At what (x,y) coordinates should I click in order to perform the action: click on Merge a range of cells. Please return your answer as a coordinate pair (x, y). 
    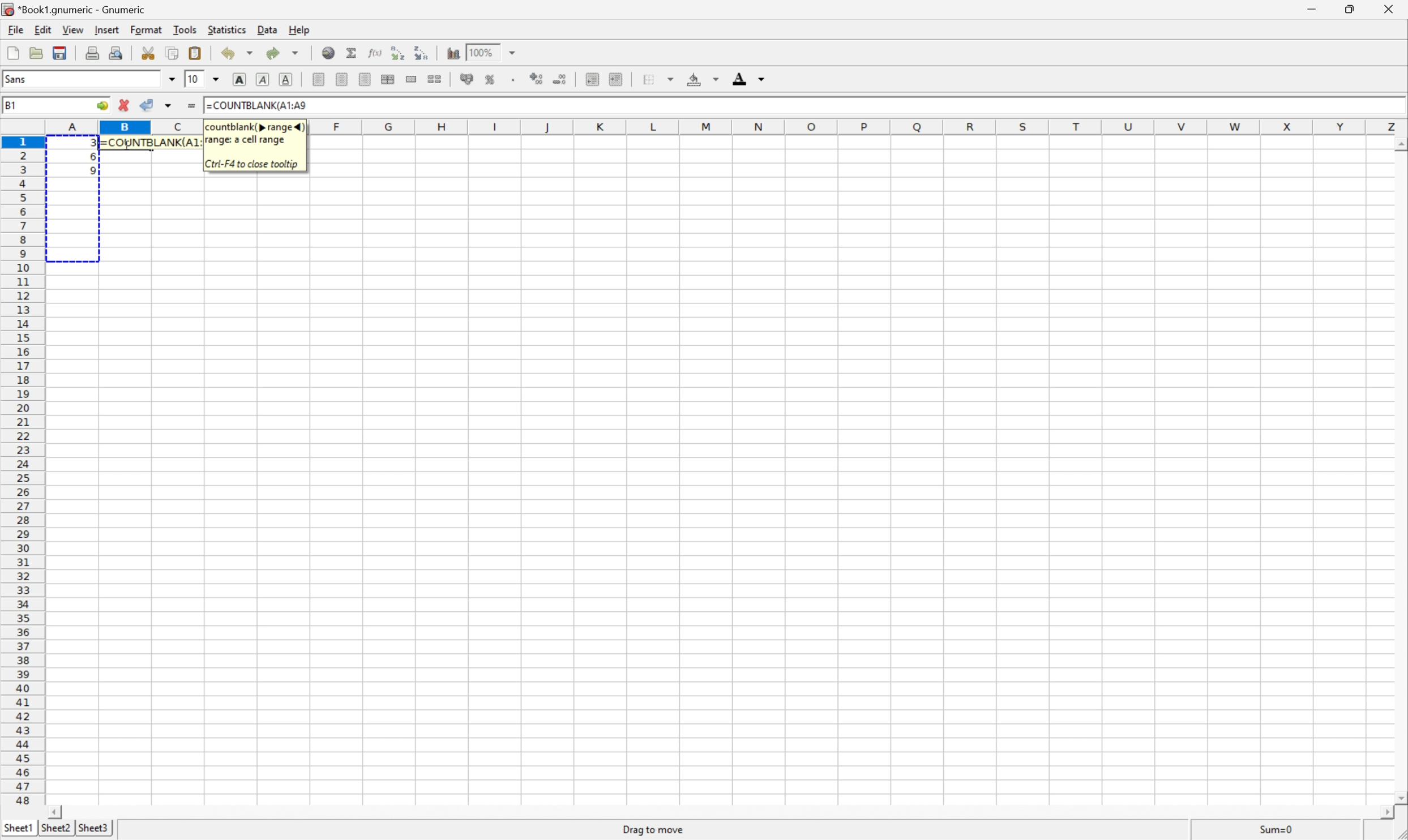
    Looking at the image, I should click on (411, 79).